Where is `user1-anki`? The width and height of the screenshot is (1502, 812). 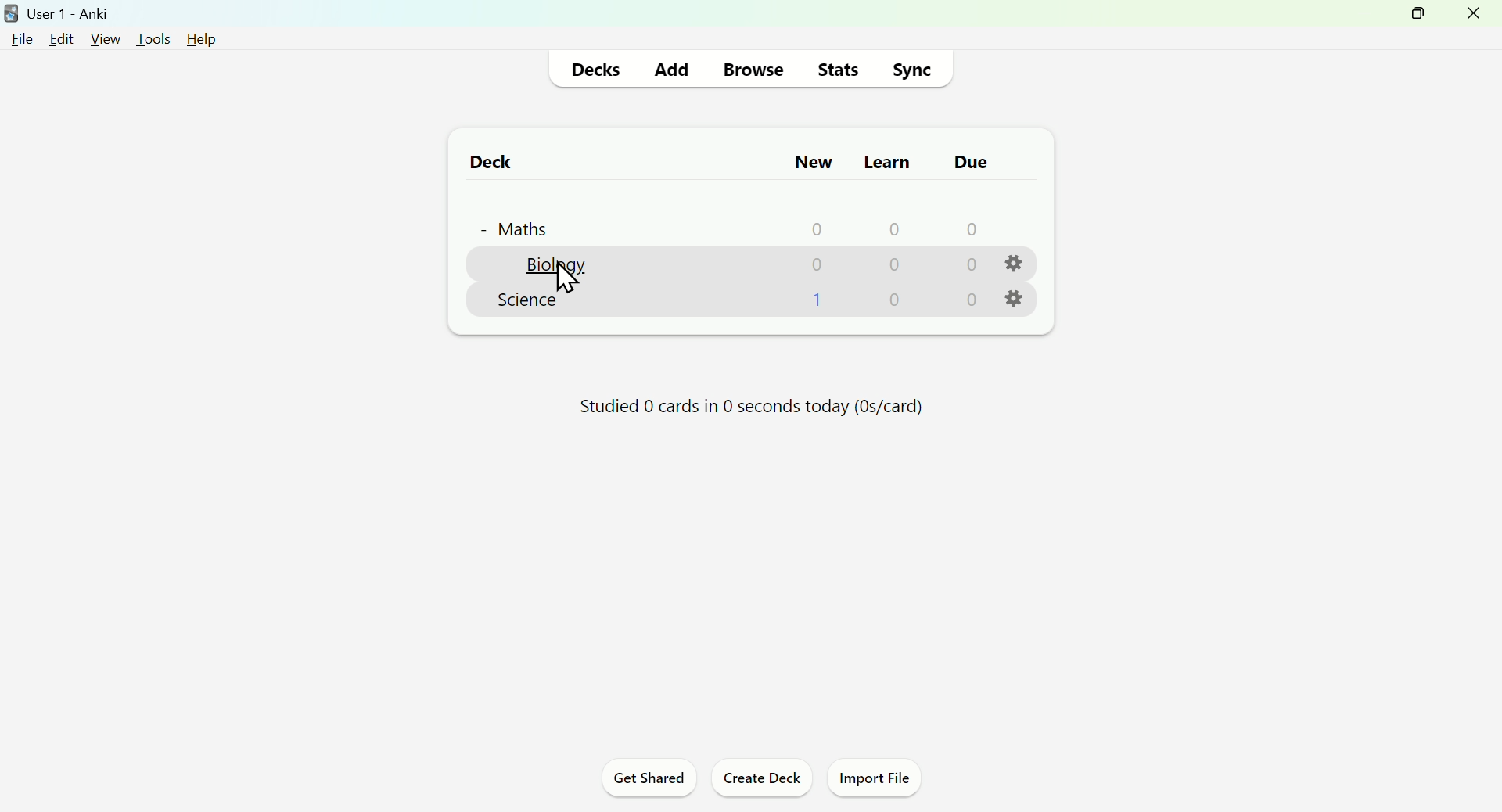 user1-anki is located at coordinates (58, 13).